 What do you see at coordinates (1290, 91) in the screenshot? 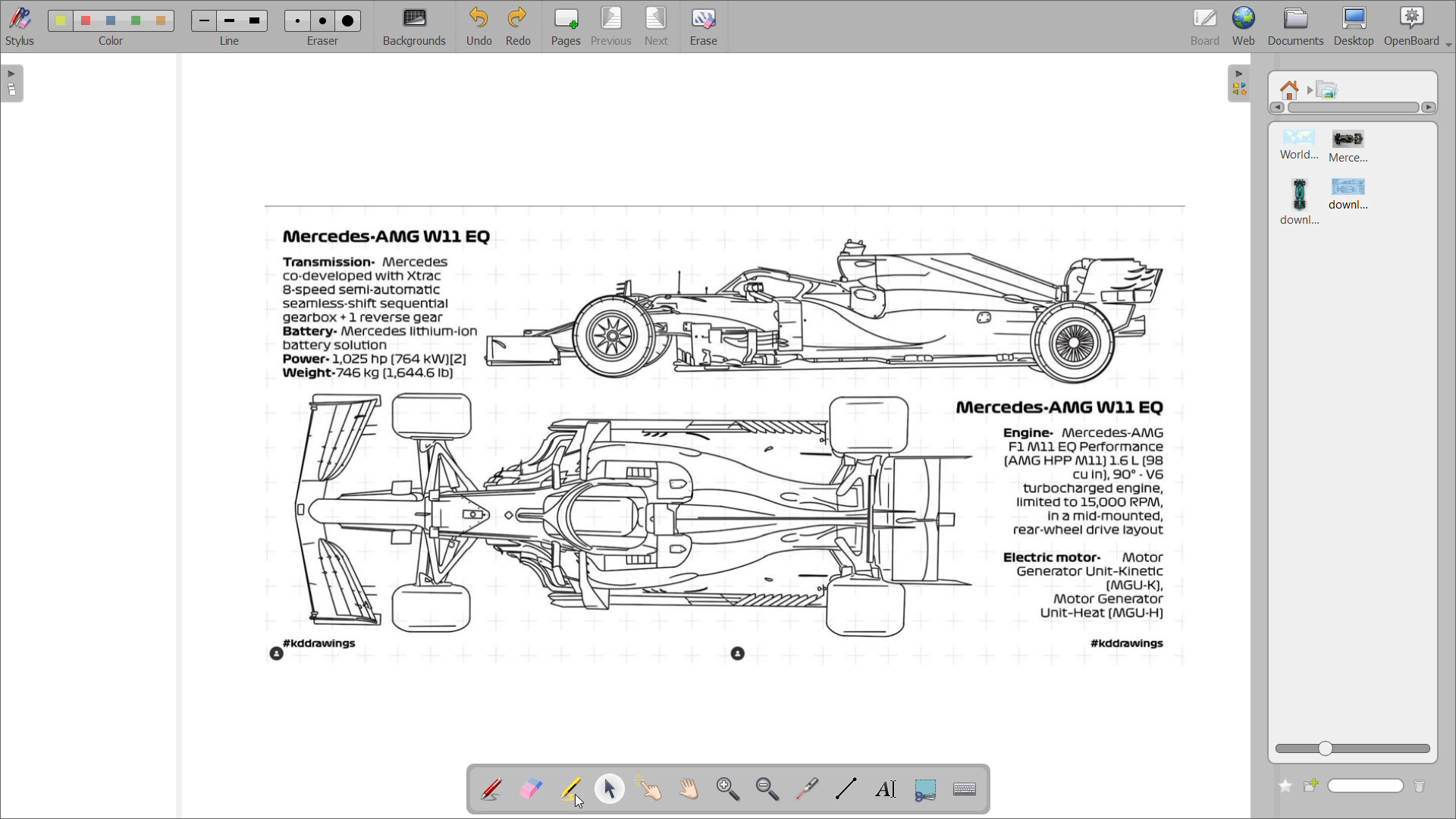
I see `root` at bounding box center [1290, 91].